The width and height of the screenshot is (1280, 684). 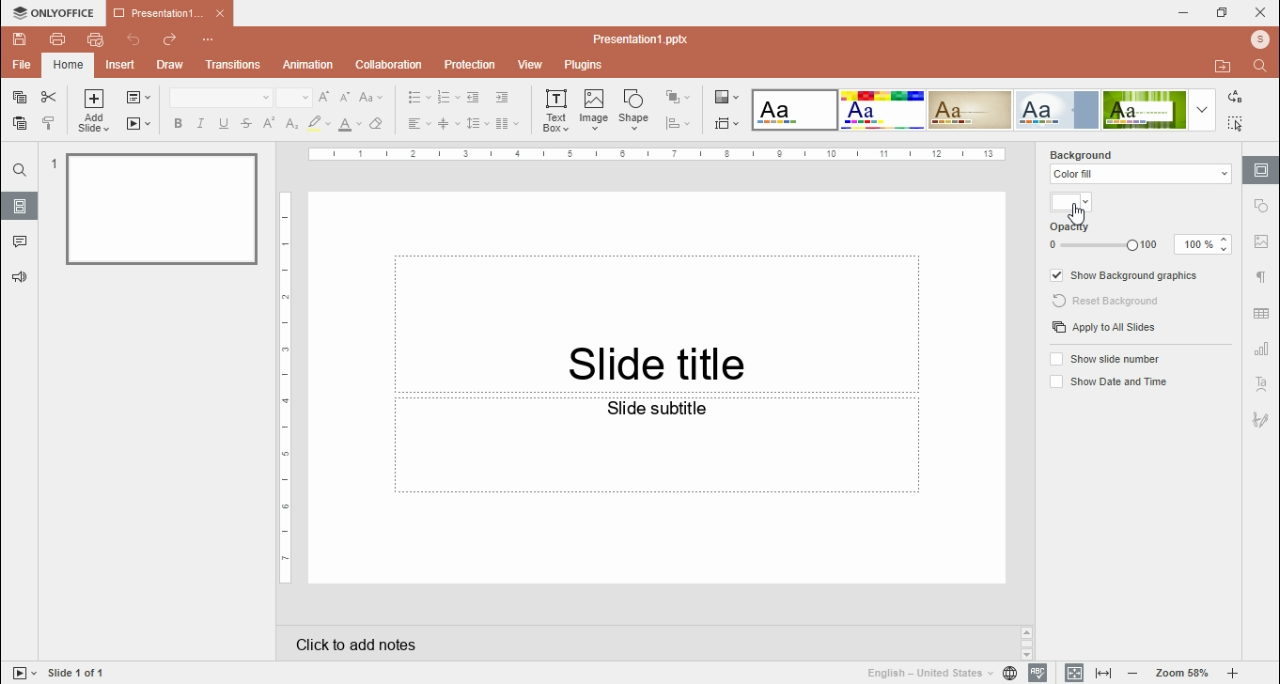 I want to click on minimize, so click(x=1184, y=13).